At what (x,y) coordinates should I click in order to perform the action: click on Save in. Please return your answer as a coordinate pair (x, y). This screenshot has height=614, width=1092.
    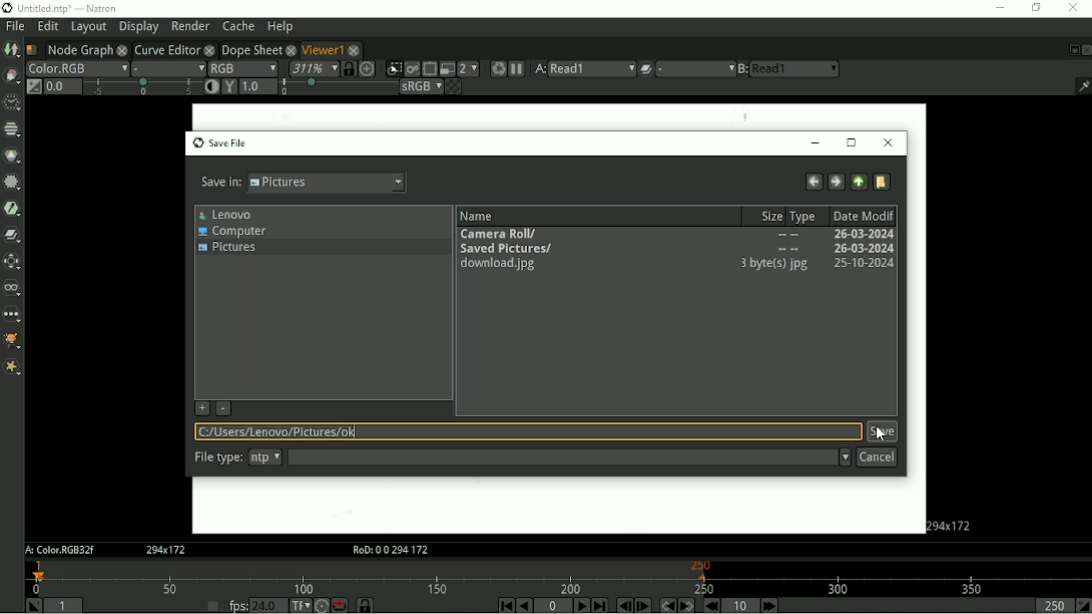
    Looking at the image, I should click on (217, 184).